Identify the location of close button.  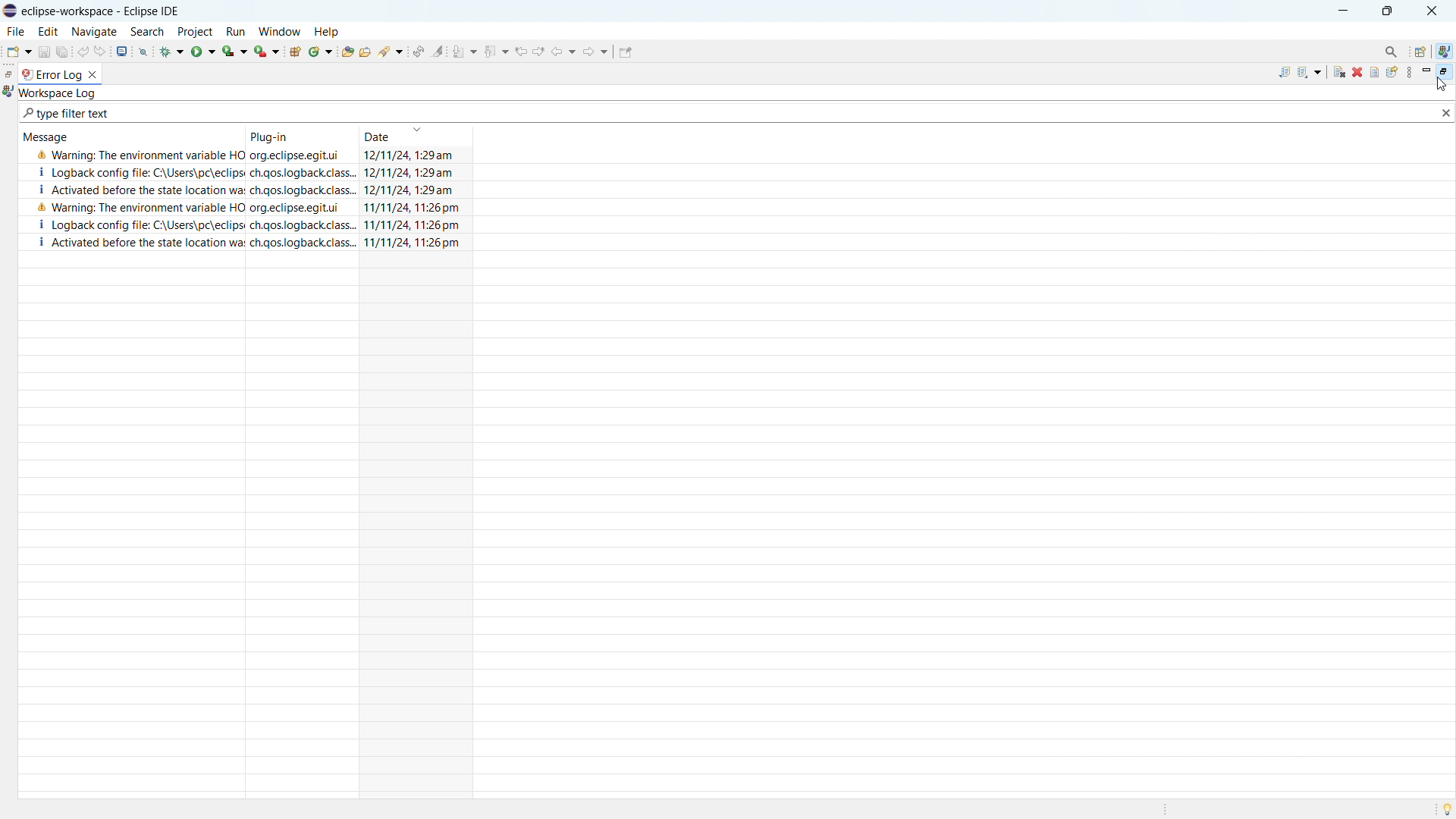
(1436, 11).